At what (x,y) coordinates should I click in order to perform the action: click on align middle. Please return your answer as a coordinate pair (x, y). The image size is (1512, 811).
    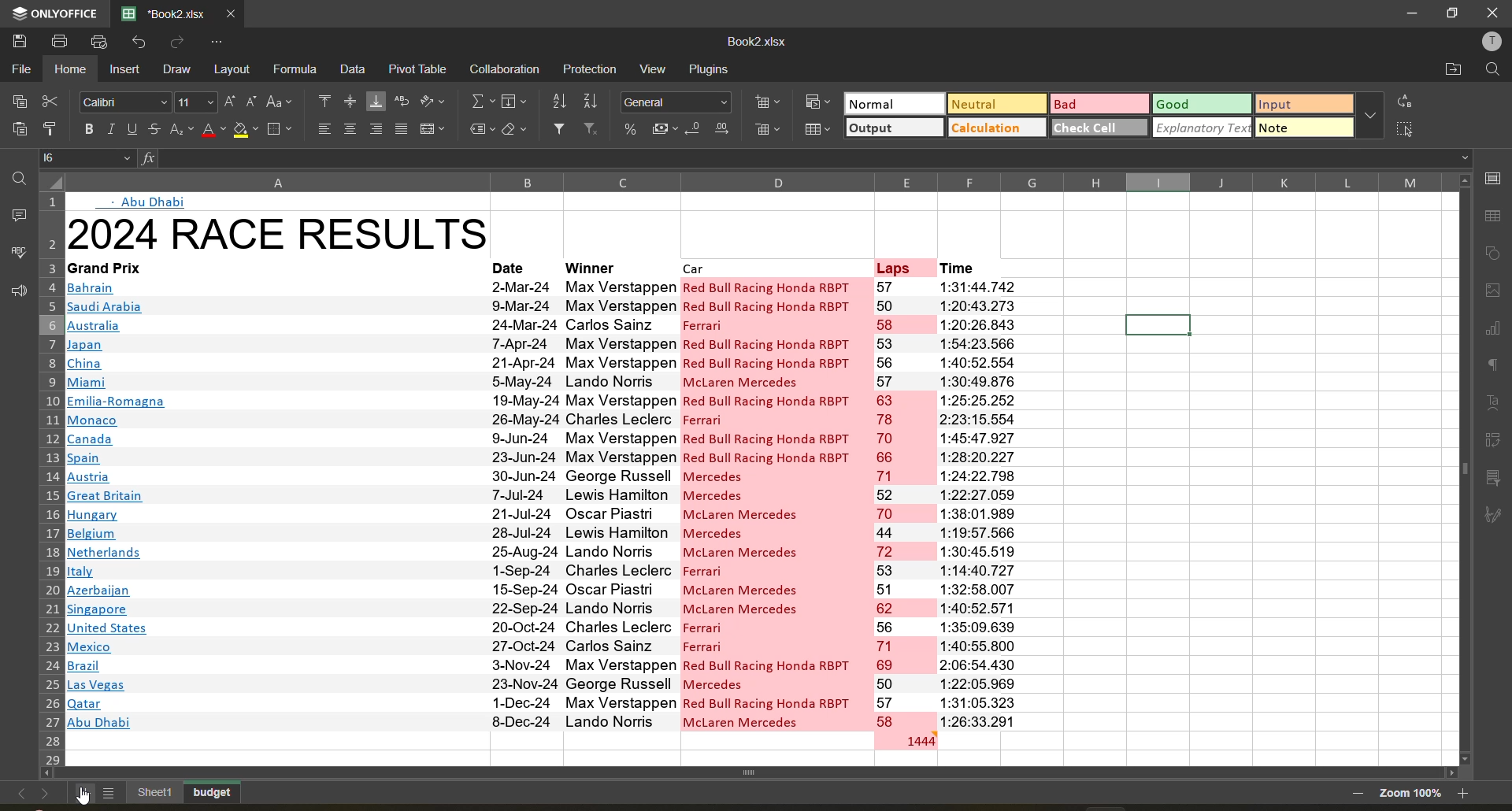
    Looking at the image, I should click on (350, 131).